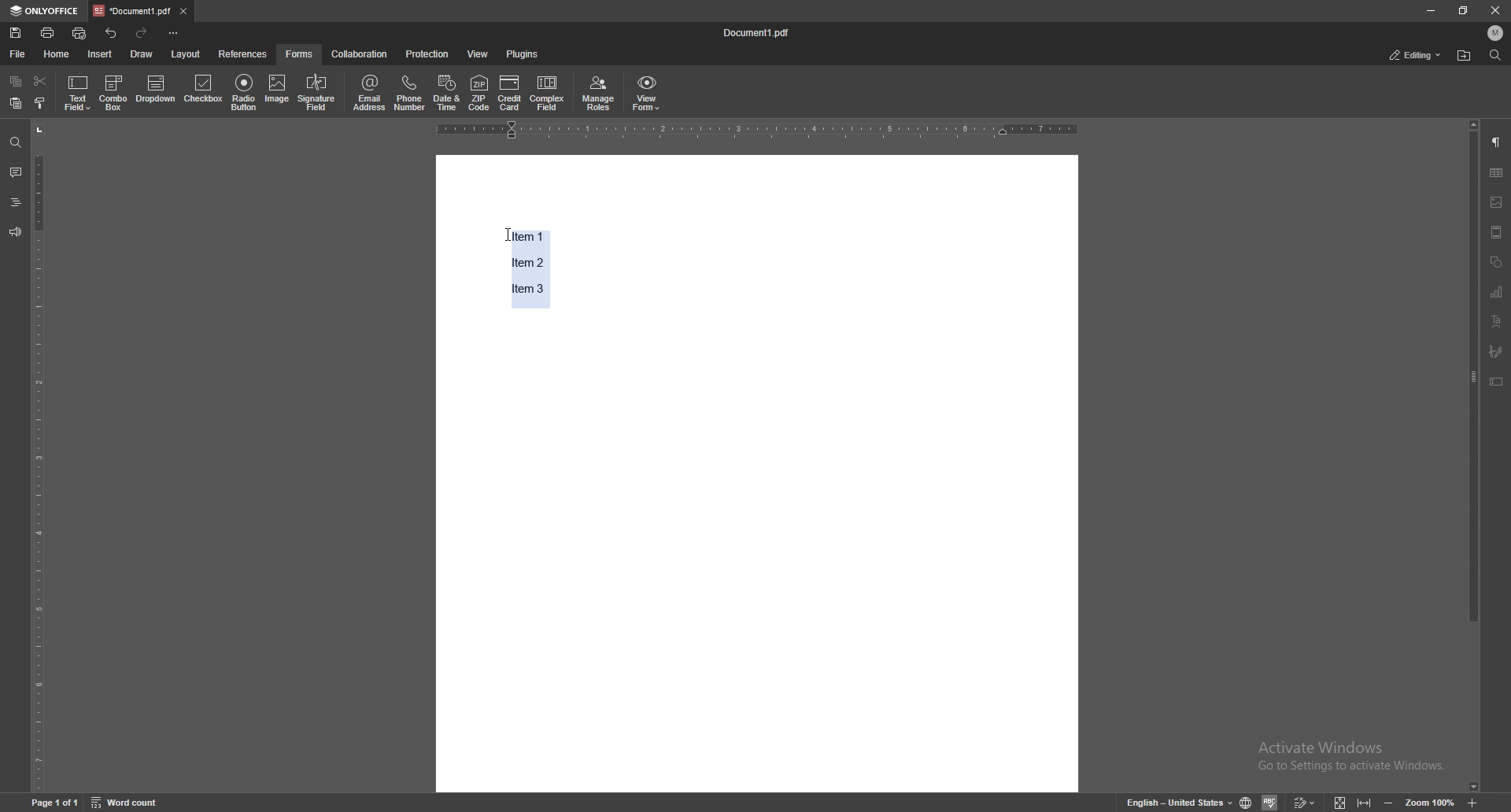 The height and width of the screenshot is (812, 1511). Describe the element at coordinates (1247, 800) in the screenshot. I see `change doc language` at that location.